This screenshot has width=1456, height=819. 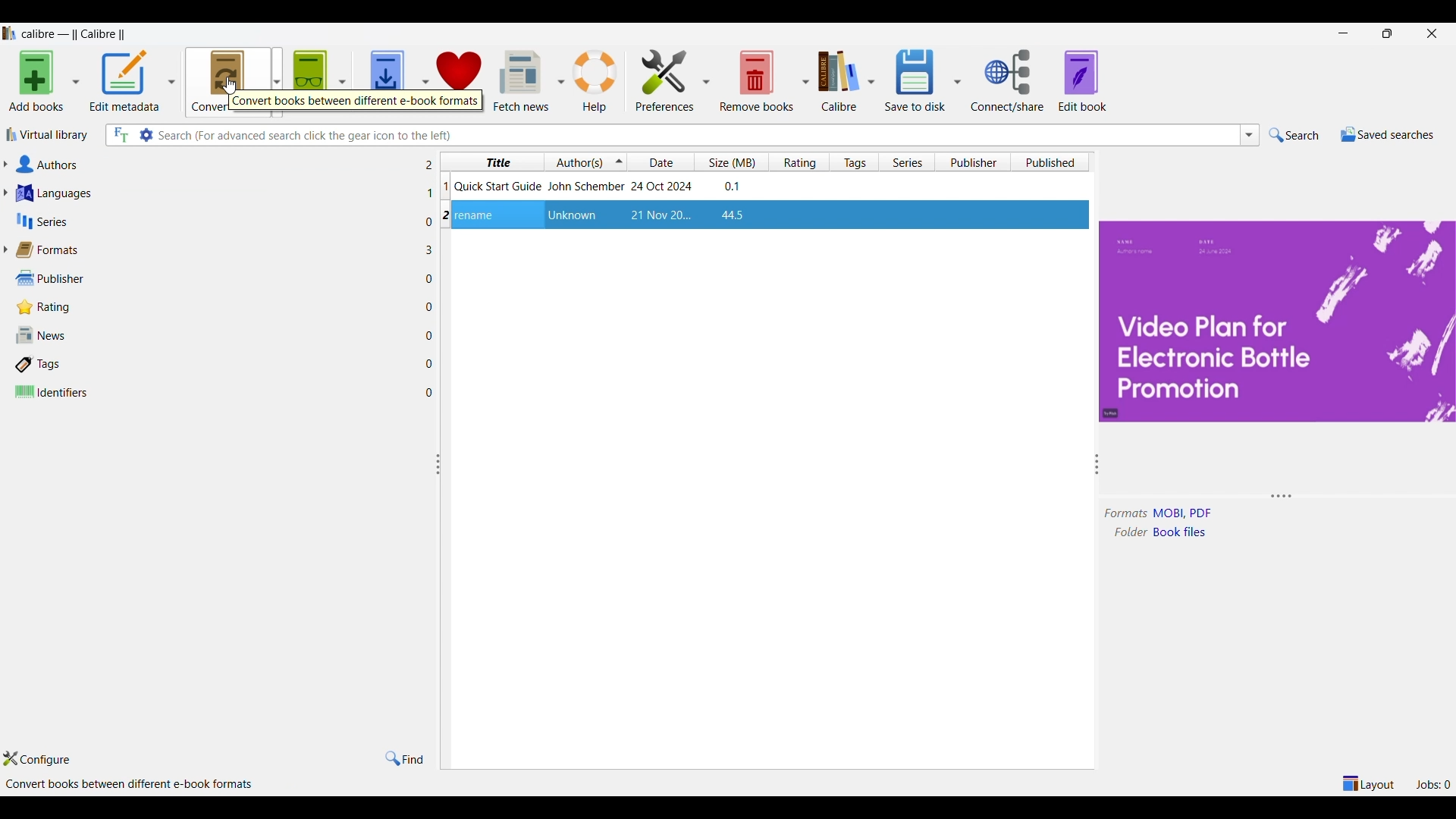 What do you see at coordinates (215, 366) in the screenshot?
I see `Tags ` at bounding box center [215, 366].